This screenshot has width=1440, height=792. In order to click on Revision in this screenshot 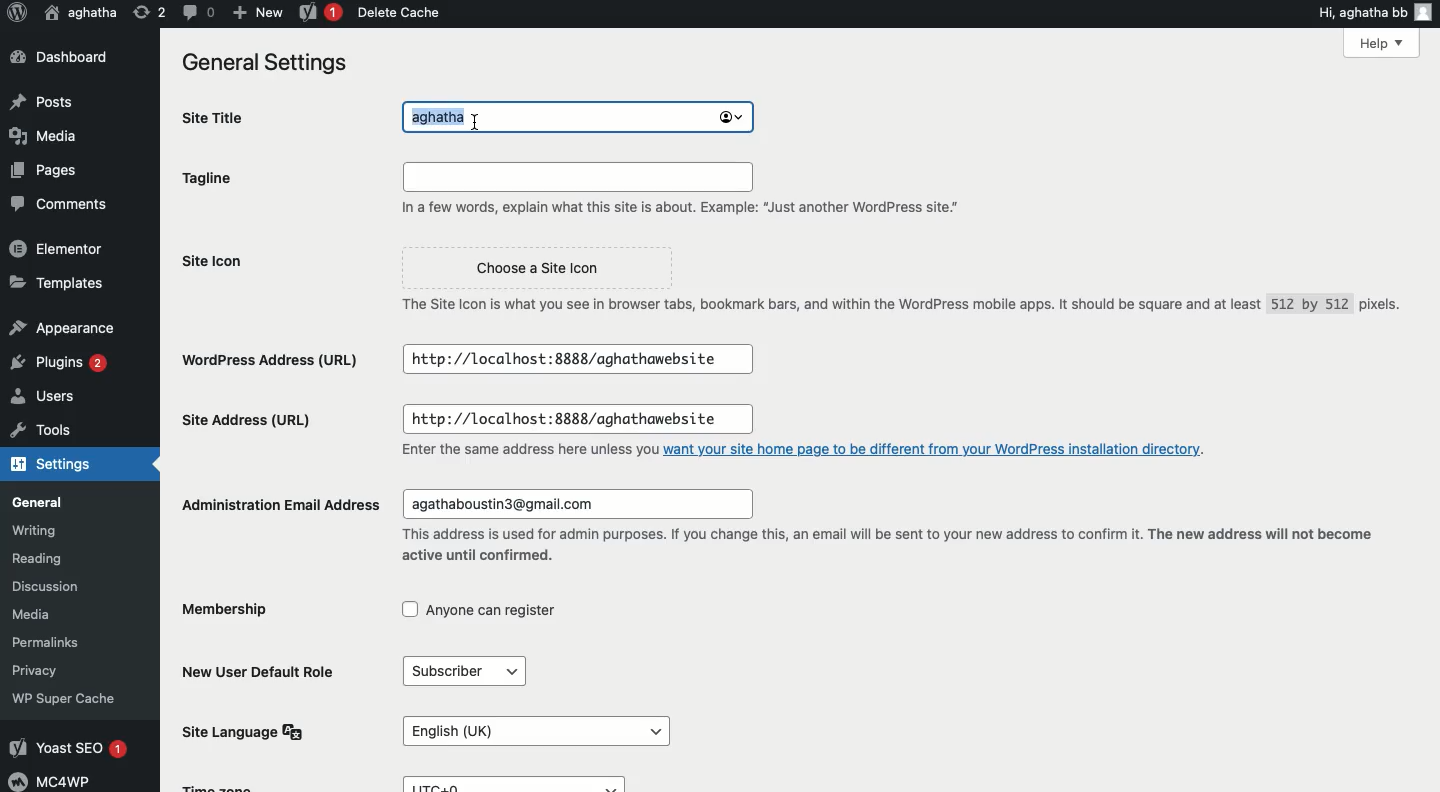, I will do `click(150, 14)`.